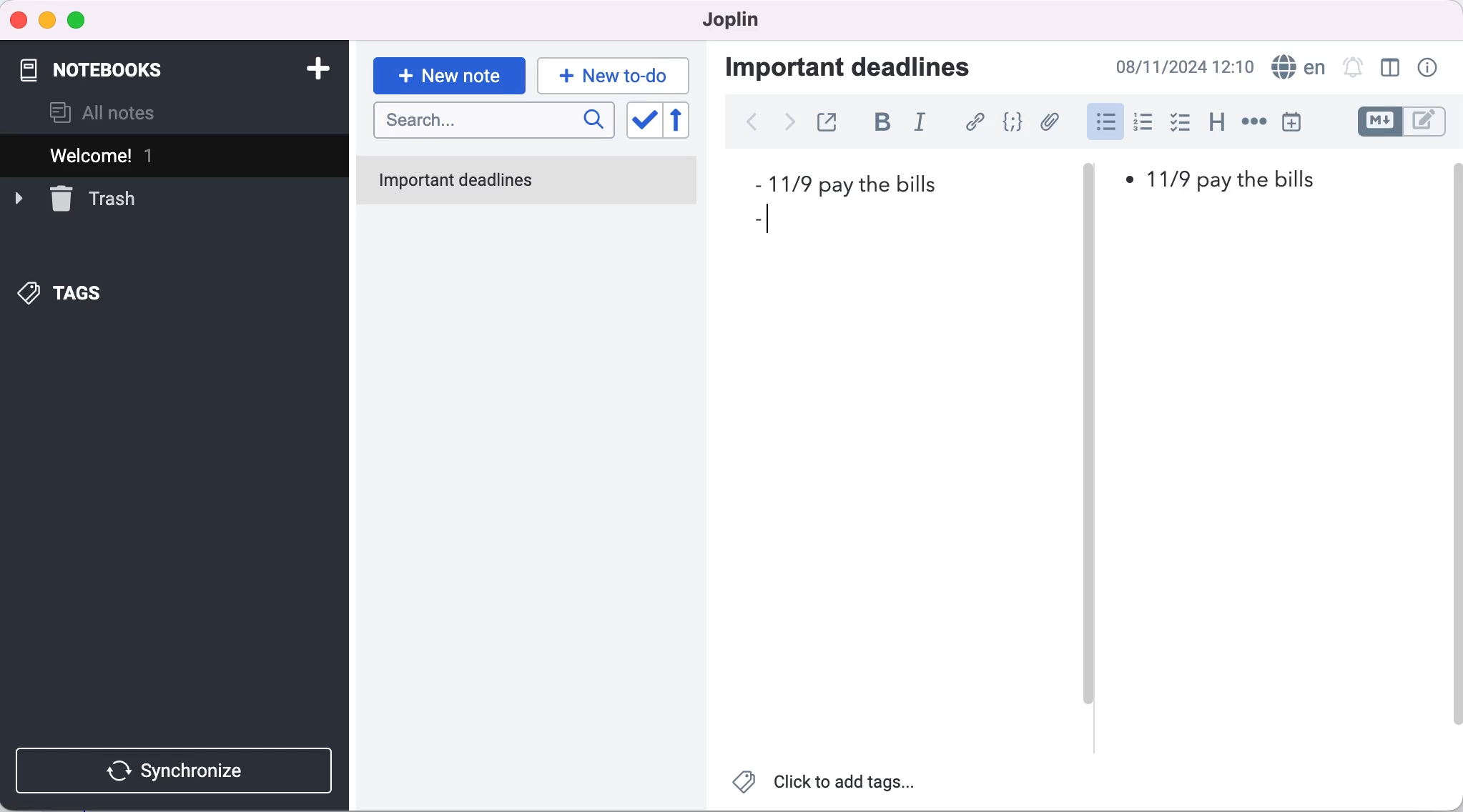  Describe the element at coordinates (75, 291) in the screenshot. I see `tags` at that location.